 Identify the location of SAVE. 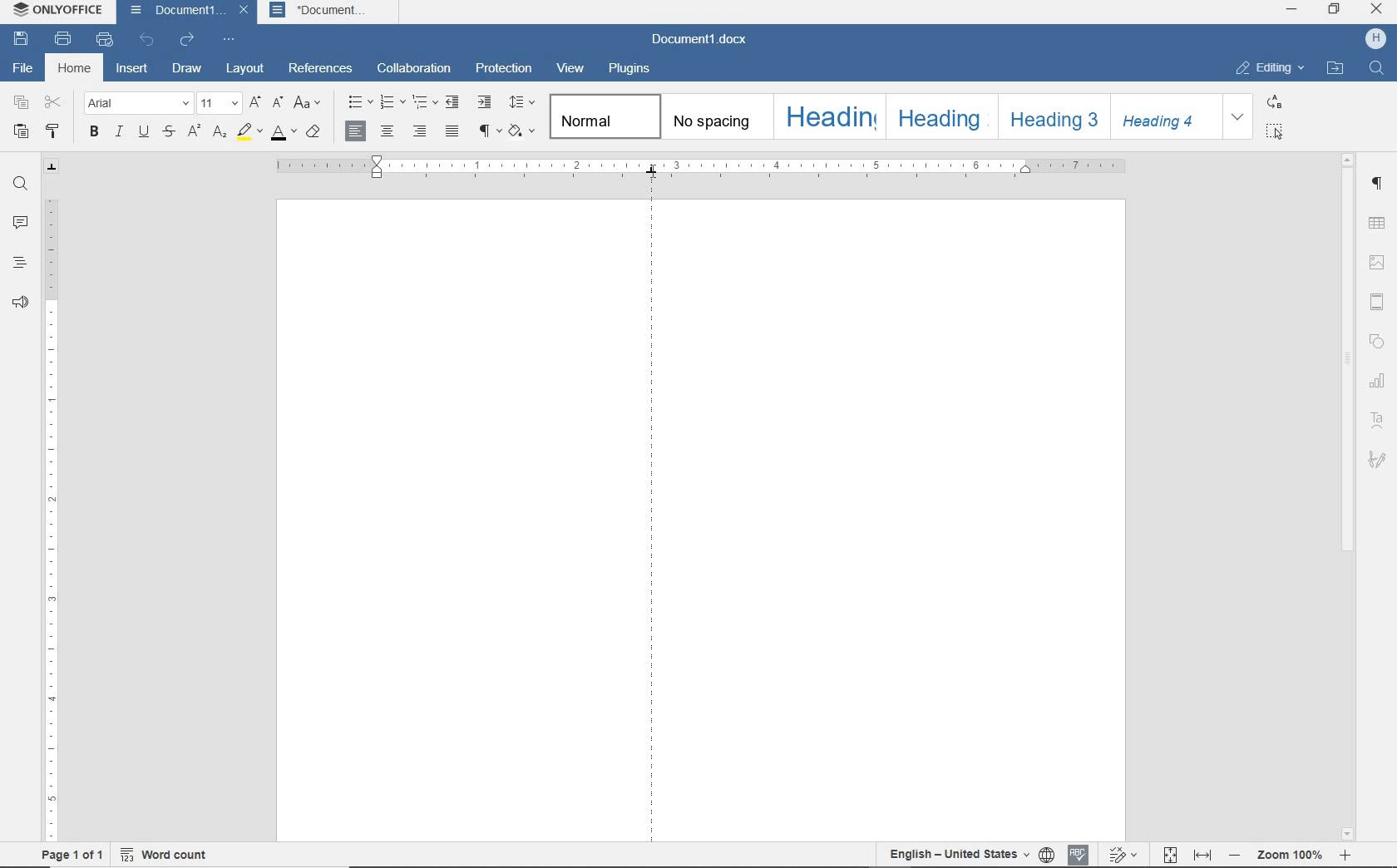
(22, 40).